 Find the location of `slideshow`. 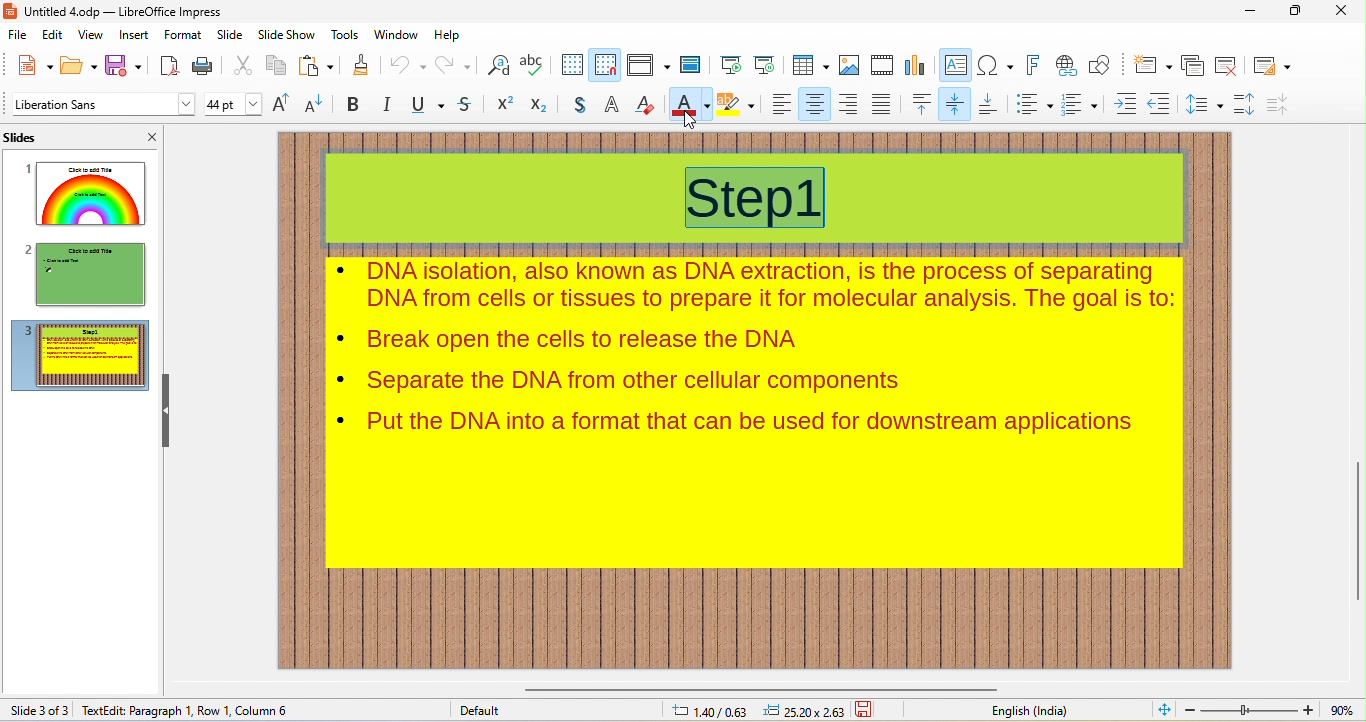

slideshow is located at coordinates (287, 35).